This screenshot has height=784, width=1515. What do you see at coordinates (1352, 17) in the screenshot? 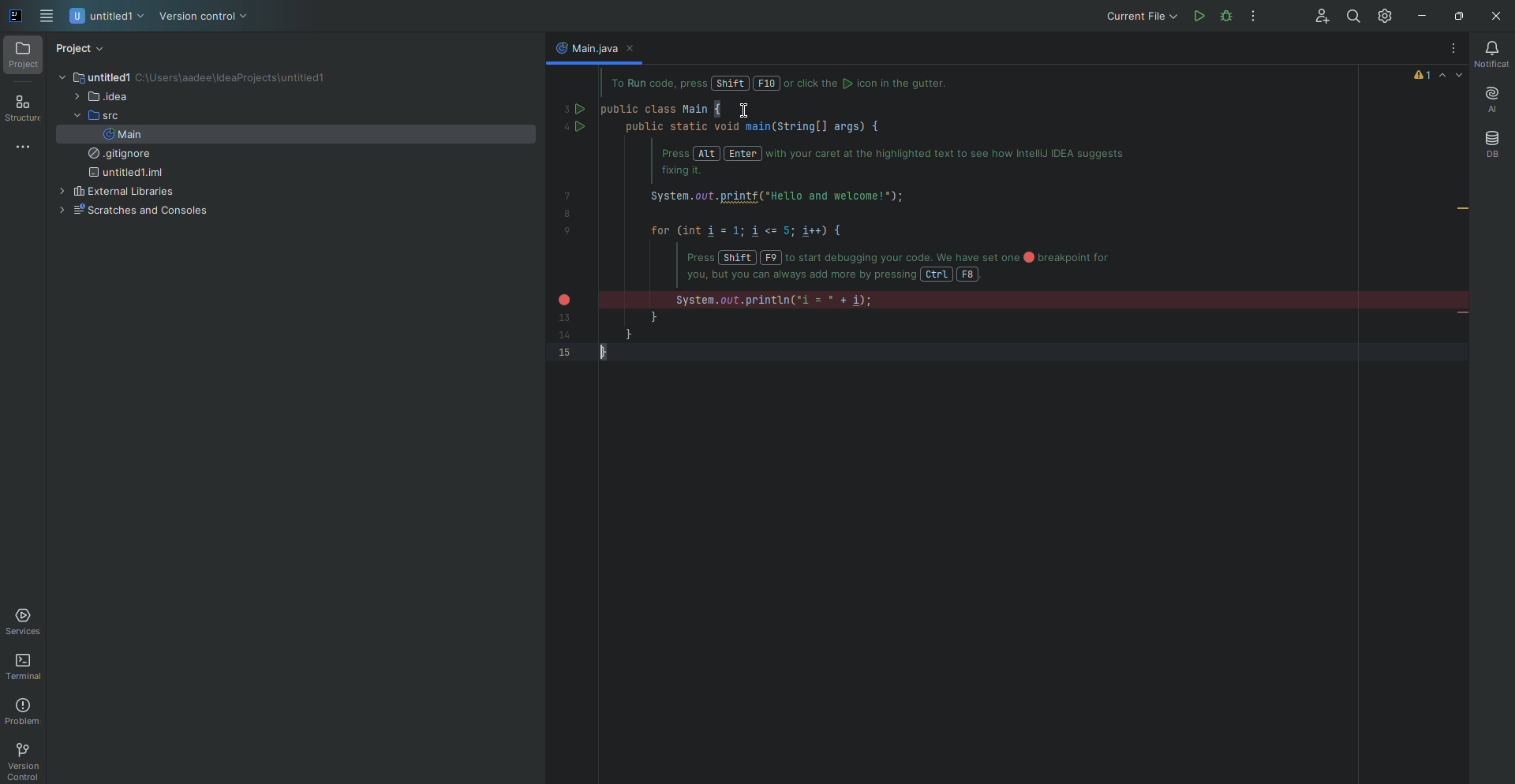
I see `Find` at bounding box center [1352, 17].